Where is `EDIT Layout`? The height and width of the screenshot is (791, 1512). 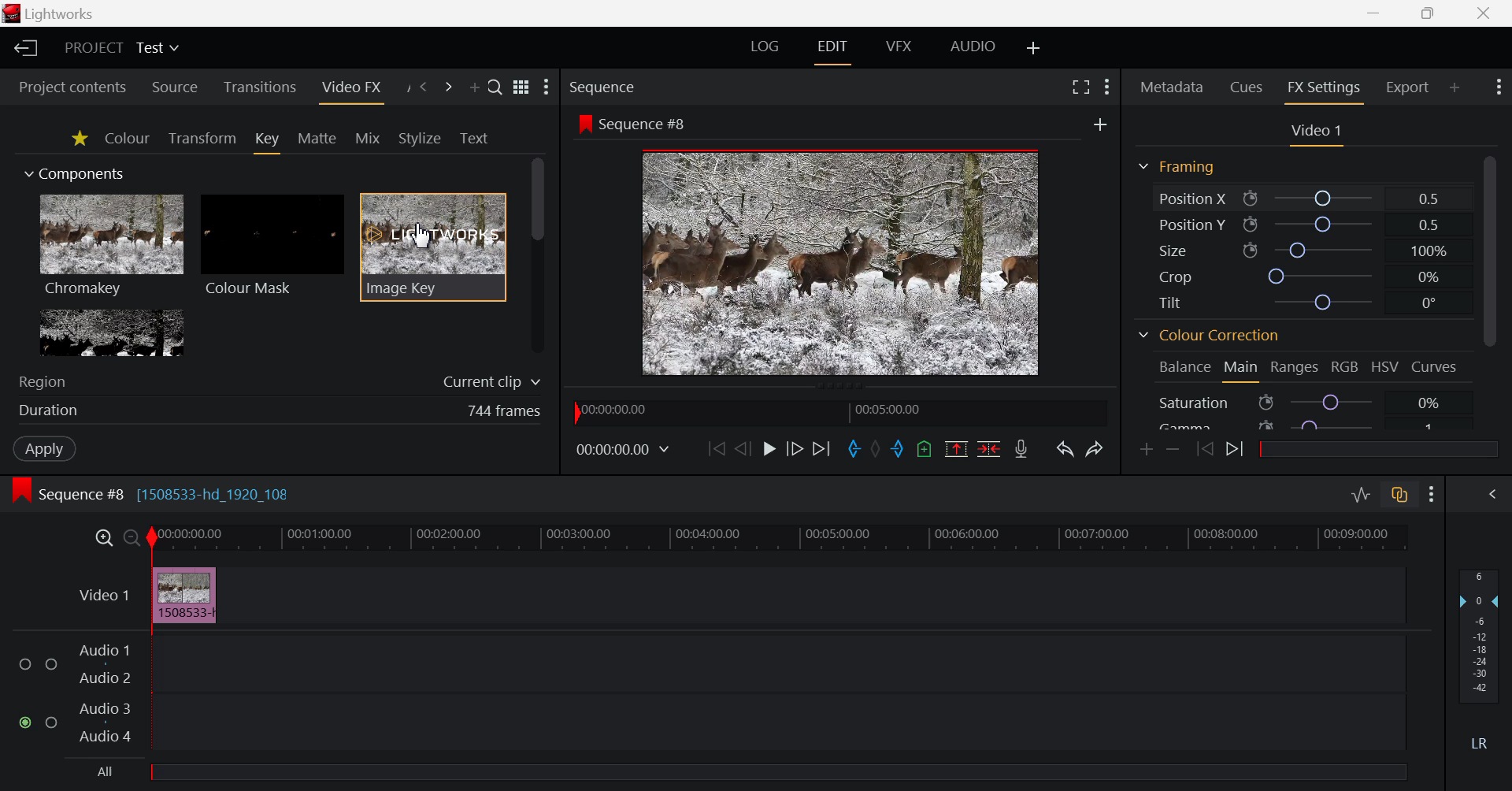 EDIT Layout is located at coordinates (832, 50).